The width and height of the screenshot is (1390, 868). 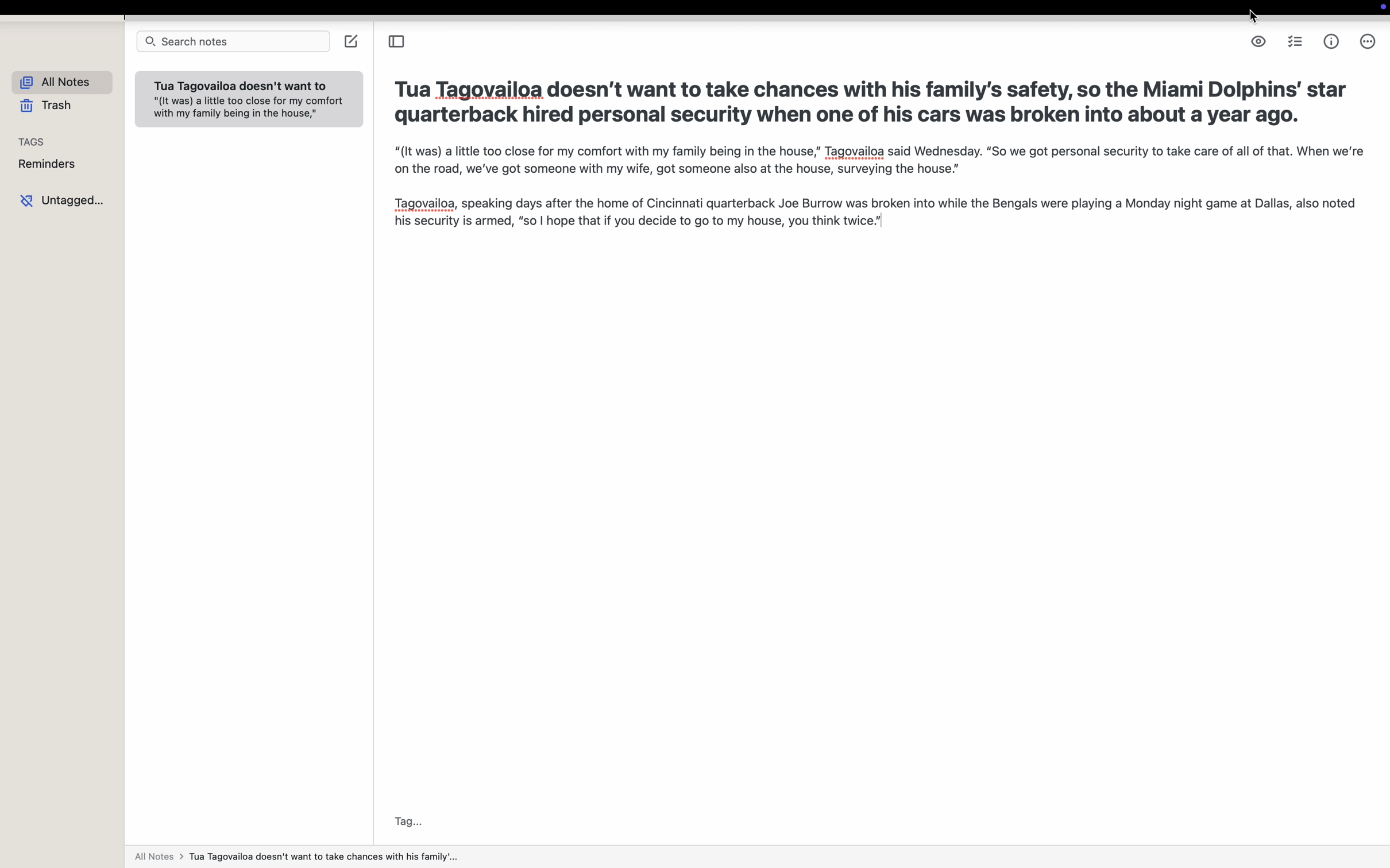 What do you see at coordinates (63, 201) in the screenshot?
I see `untagged` at bounding box center [63, 201].